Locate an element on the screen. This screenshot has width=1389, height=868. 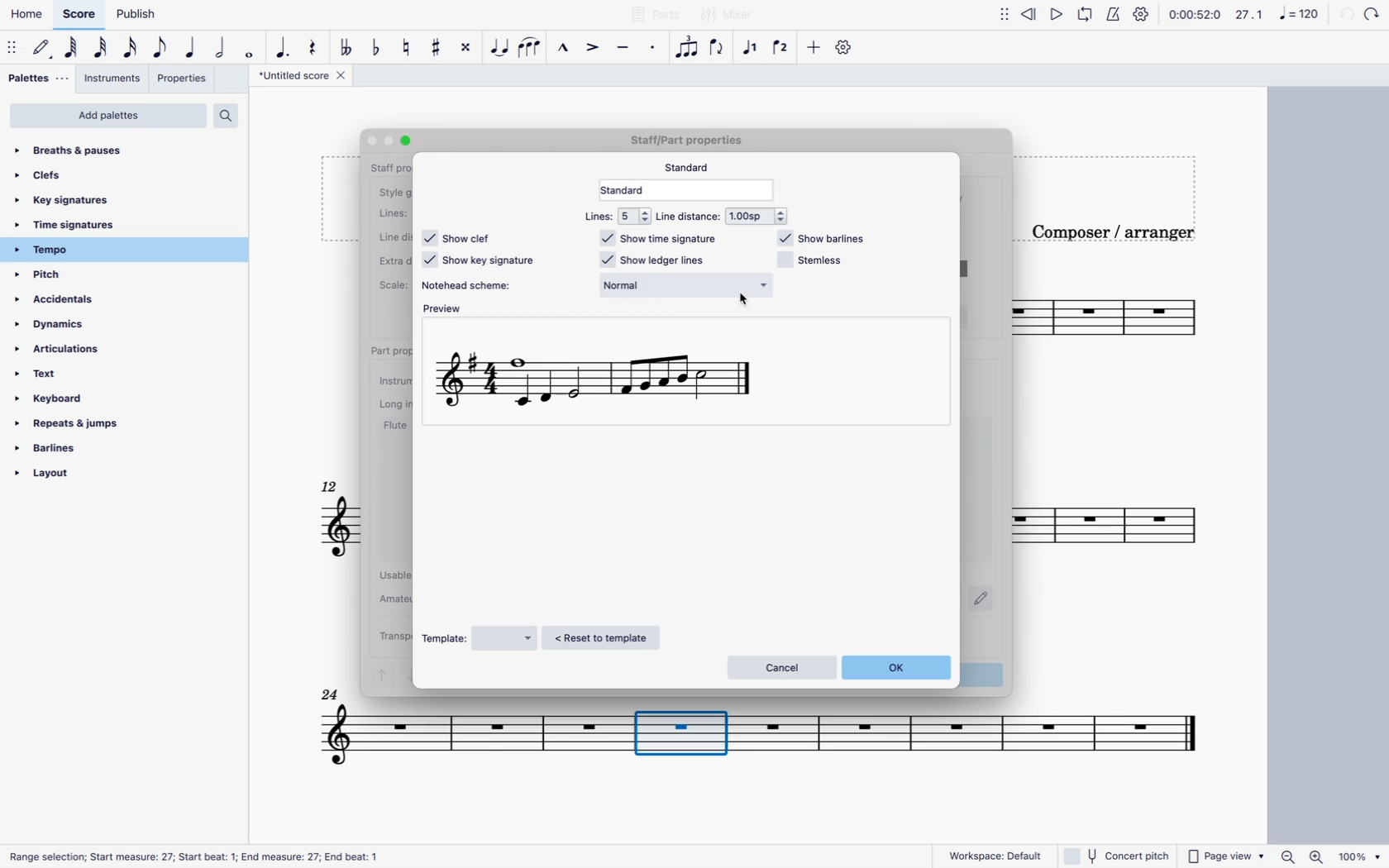
time signatures is located at coordinates (76, 227).